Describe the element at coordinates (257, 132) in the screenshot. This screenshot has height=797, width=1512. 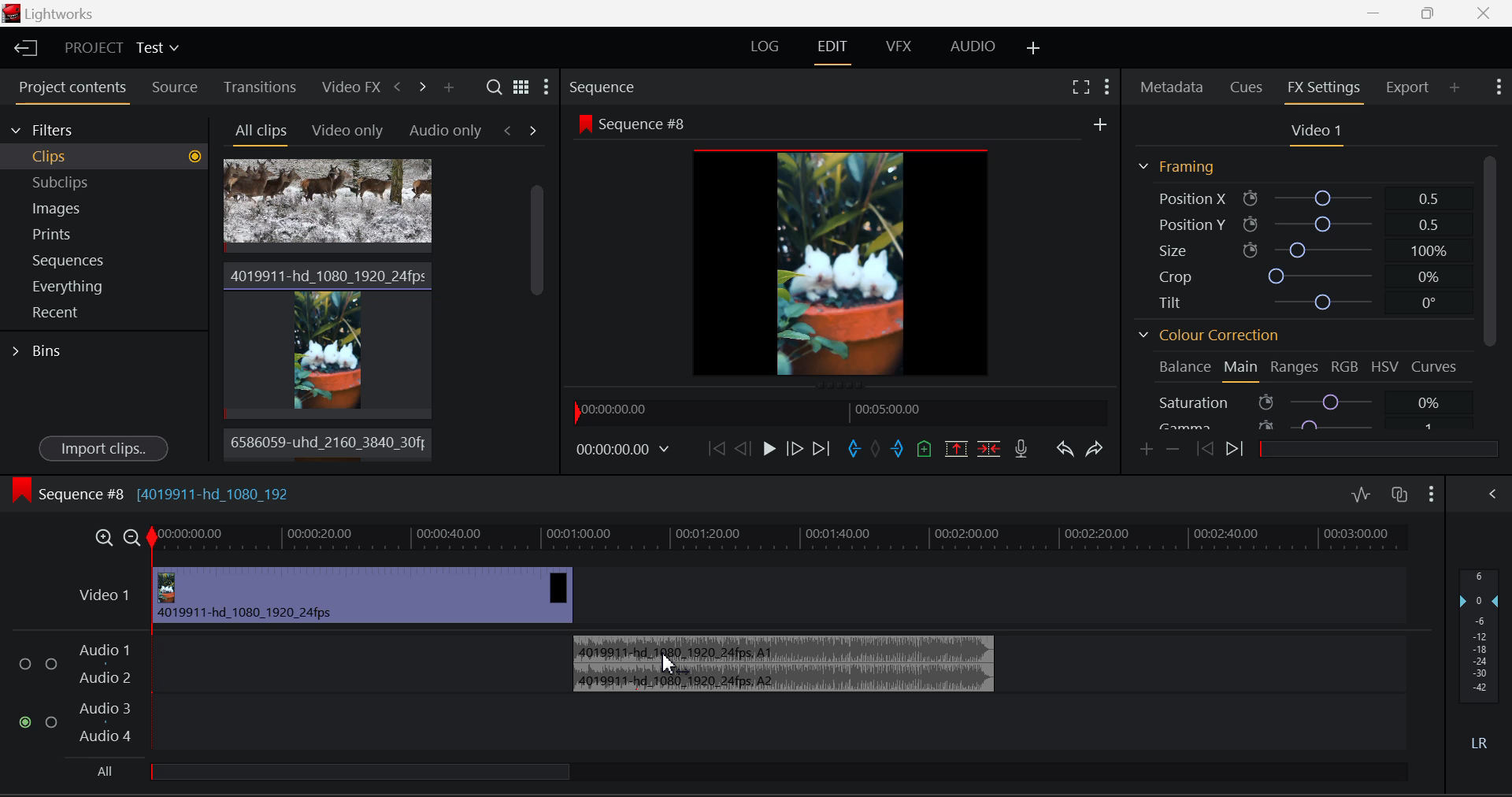
I see `All clips tab open` at that location.